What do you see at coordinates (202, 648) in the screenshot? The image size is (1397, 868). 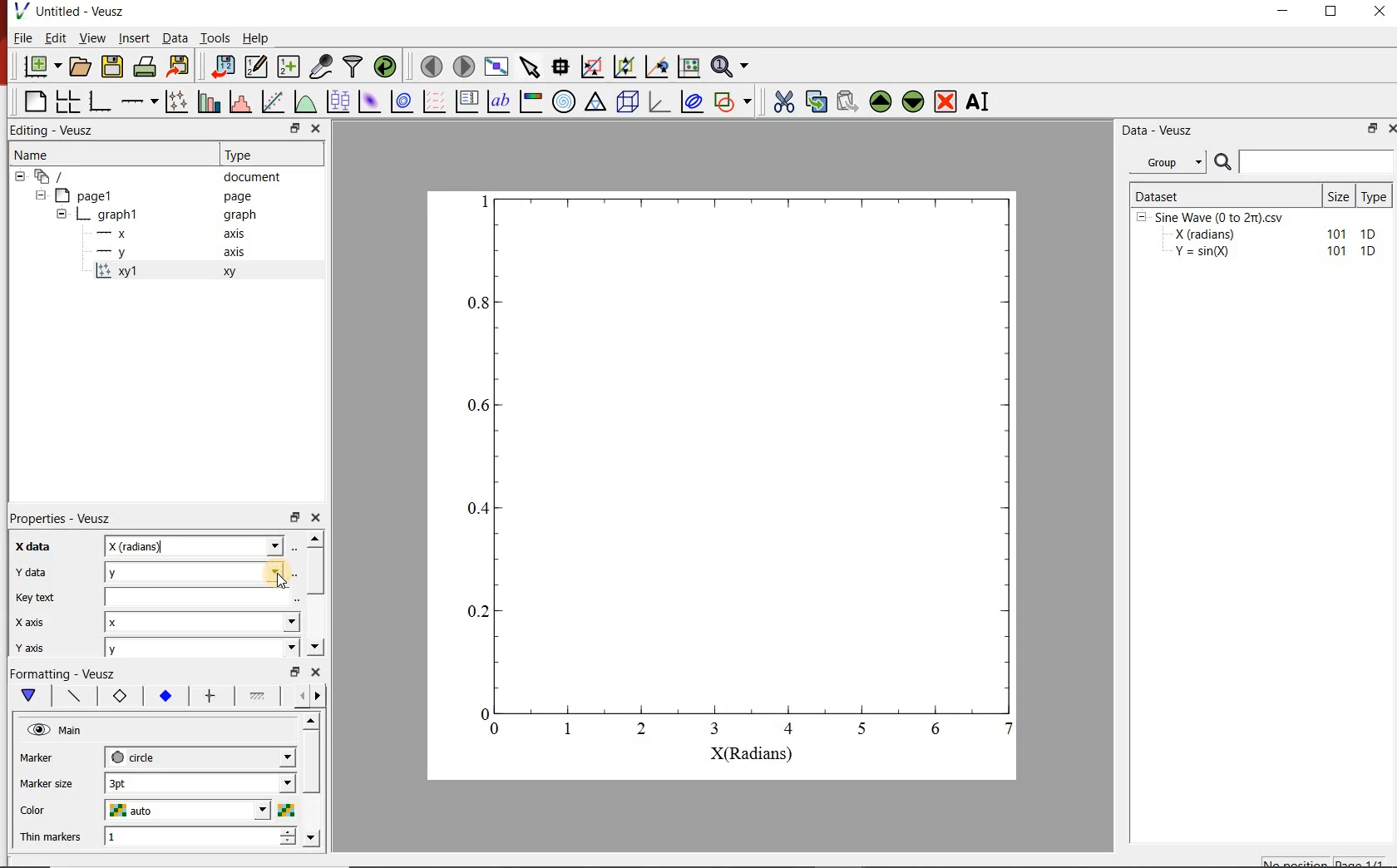 I see `y` at bounding box center [202, 648].